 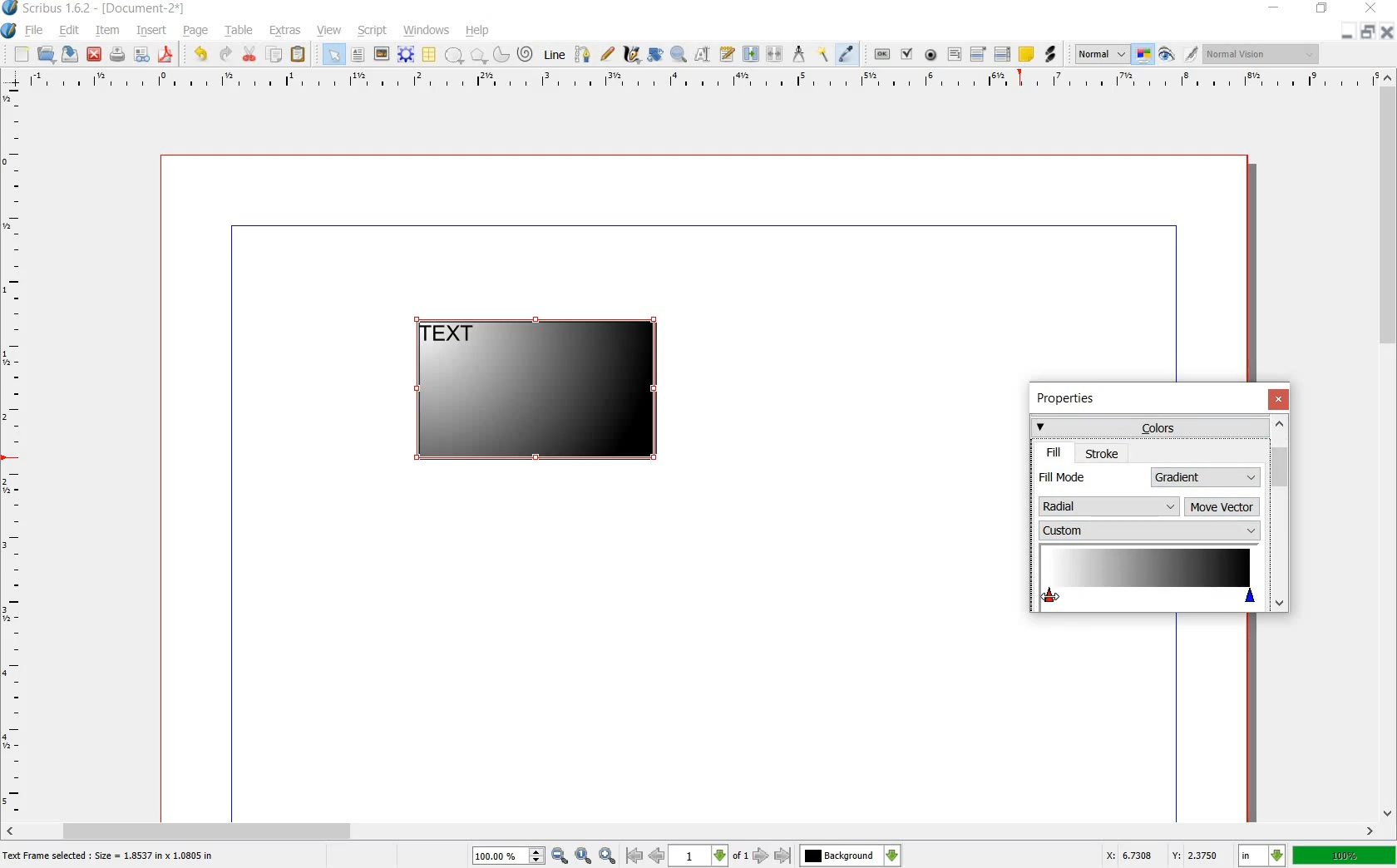 I want to click on radial, so click(x=1109, y=504).